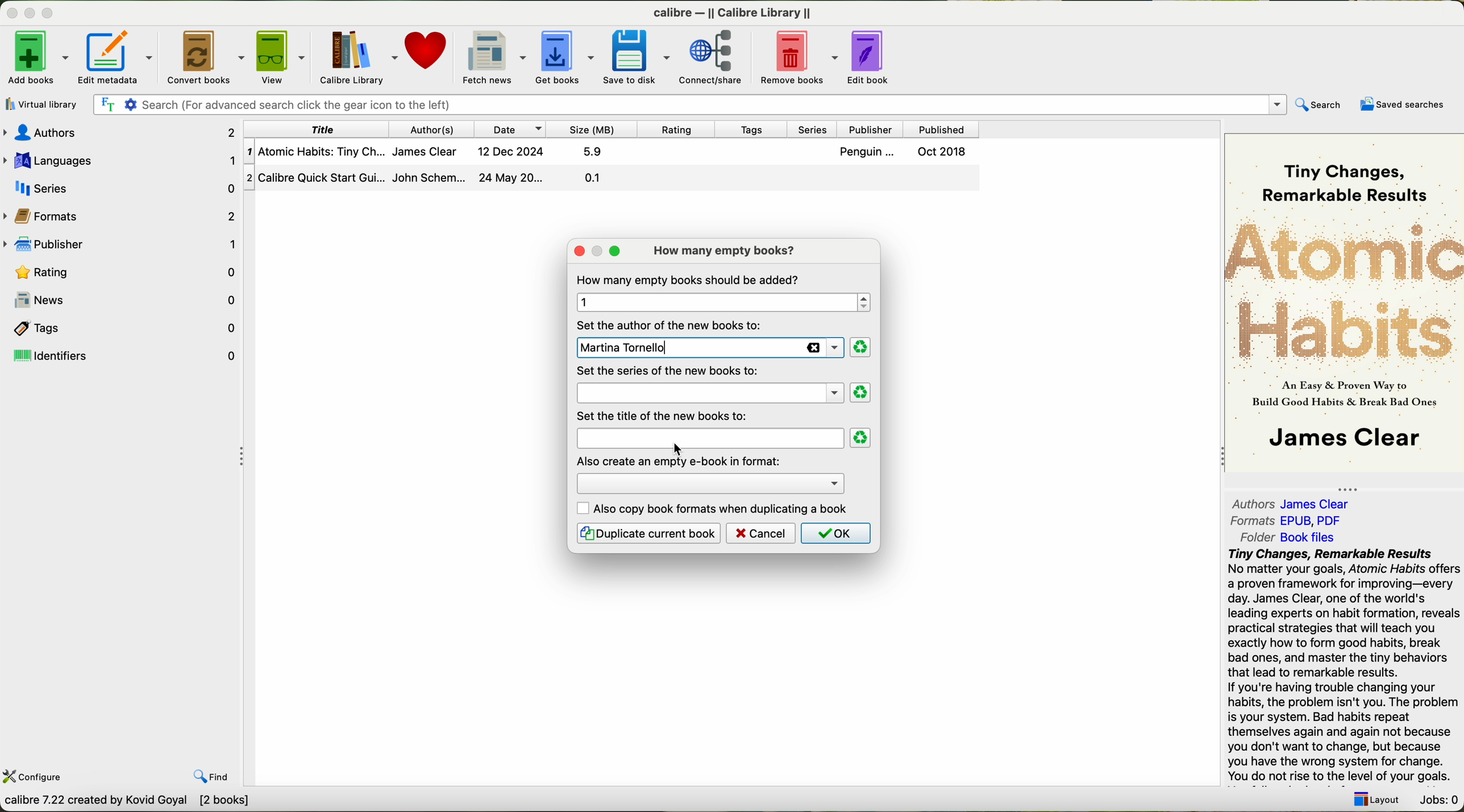 This screenshot has width=1464, height=812. Describe the element at coordinates (615, 154) in the screenshot. I see `first book` at that location.